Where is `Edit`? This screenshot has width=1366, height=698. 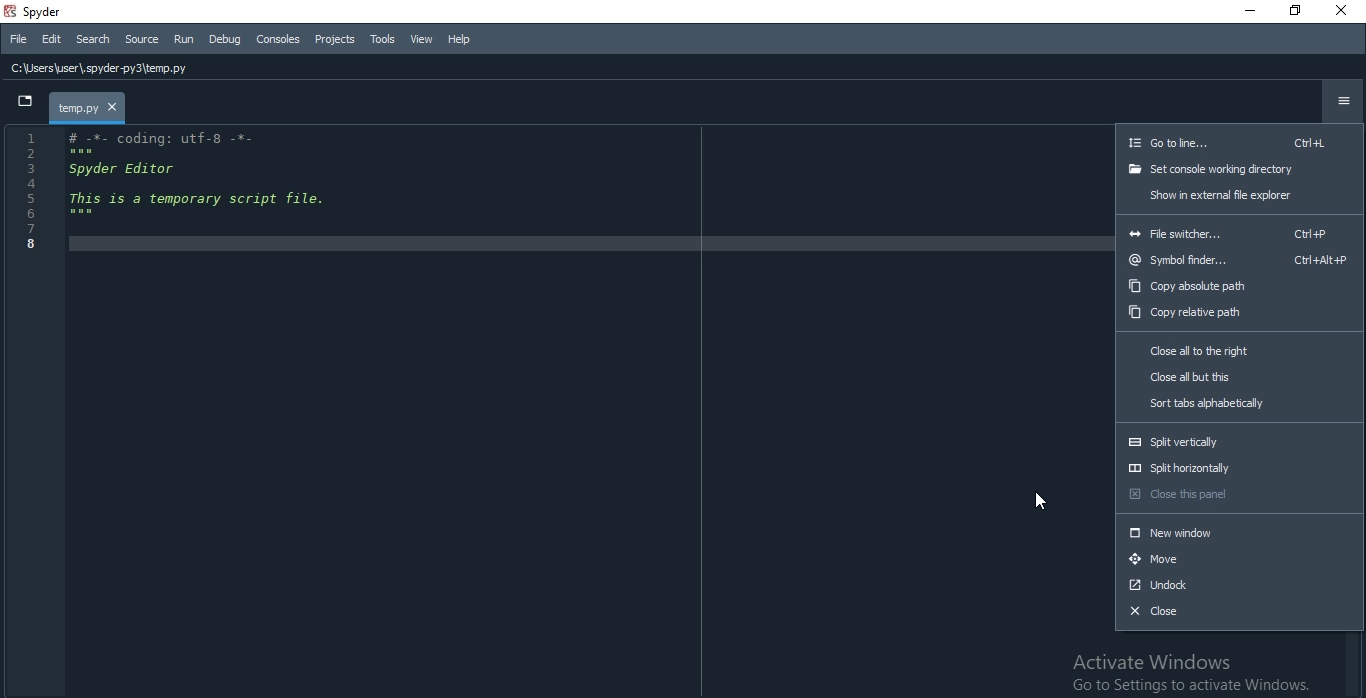 Edit is located at coordinates (51, 40).